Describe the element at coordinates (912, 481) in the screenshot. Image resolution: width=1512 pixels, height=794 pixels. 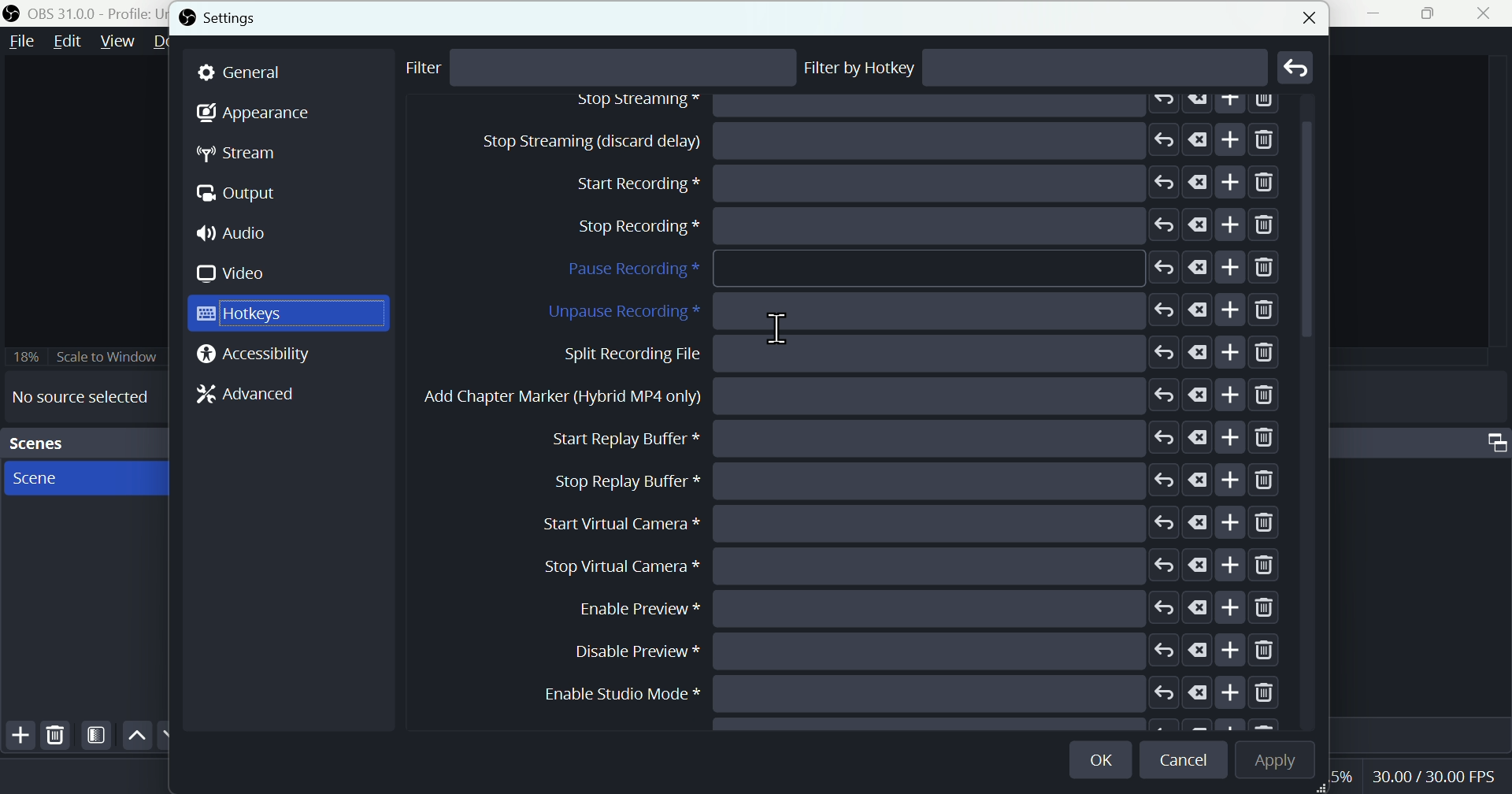
I see `Stop Replay Buffer` at that location.